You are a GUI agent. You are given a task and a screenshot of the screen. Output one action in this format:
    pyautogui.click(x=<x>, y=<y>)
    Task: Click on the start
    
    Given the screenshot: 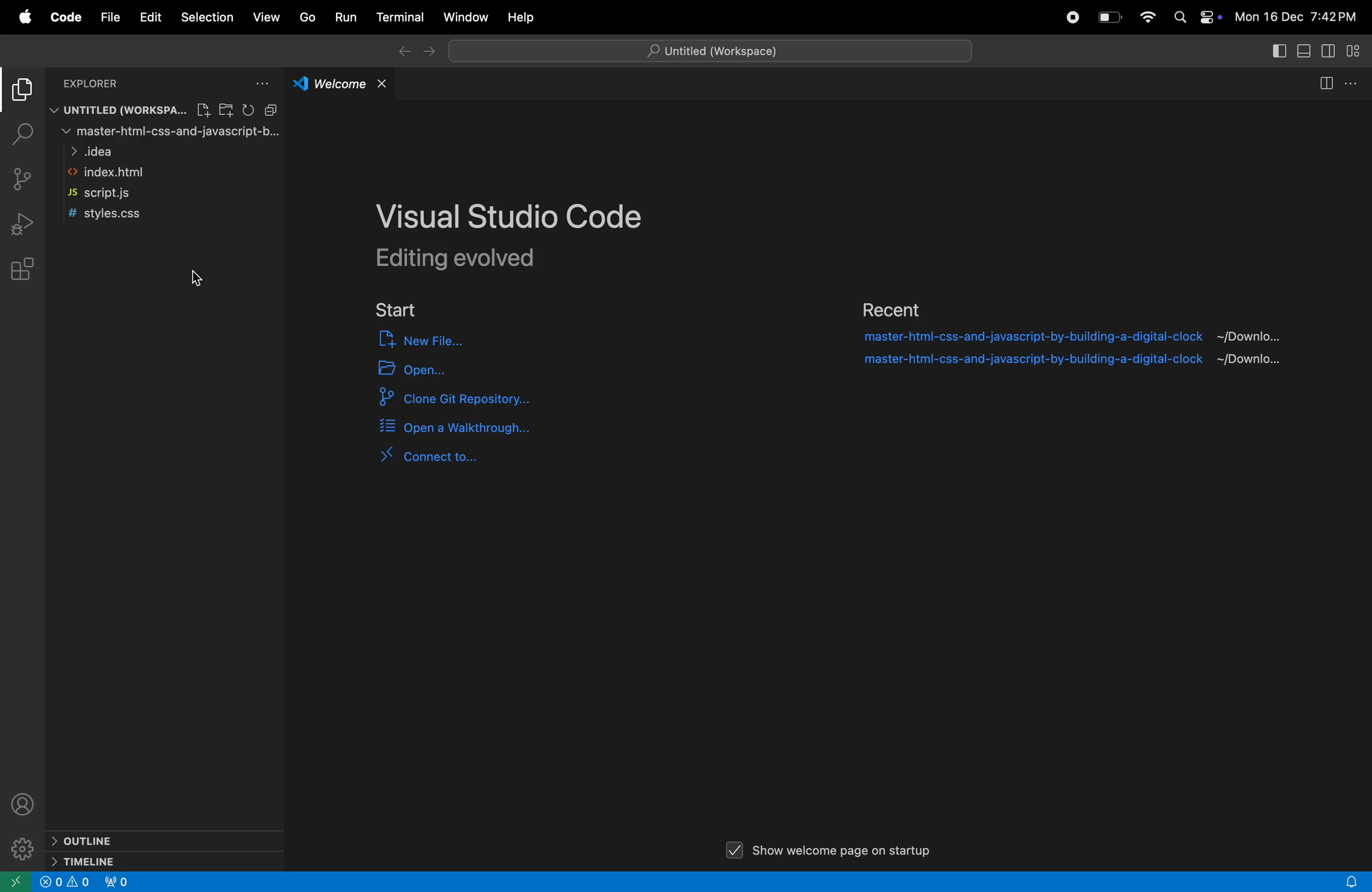 What is the action you would take?
    pyautogui.click(x=404, y=310)
    